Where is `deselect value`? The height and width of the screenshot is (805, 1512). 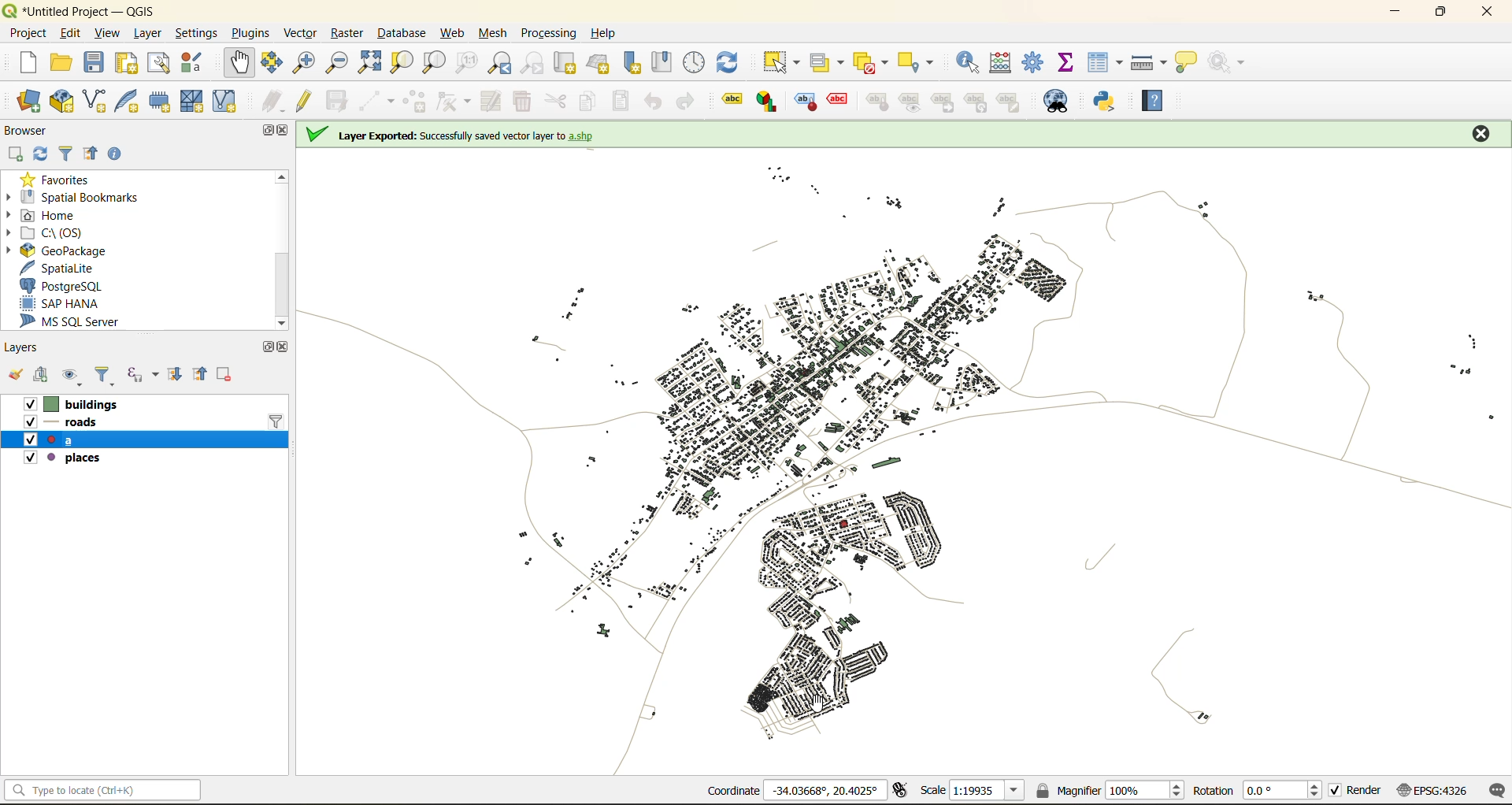 deselect value is located at coordinates (869, 61).